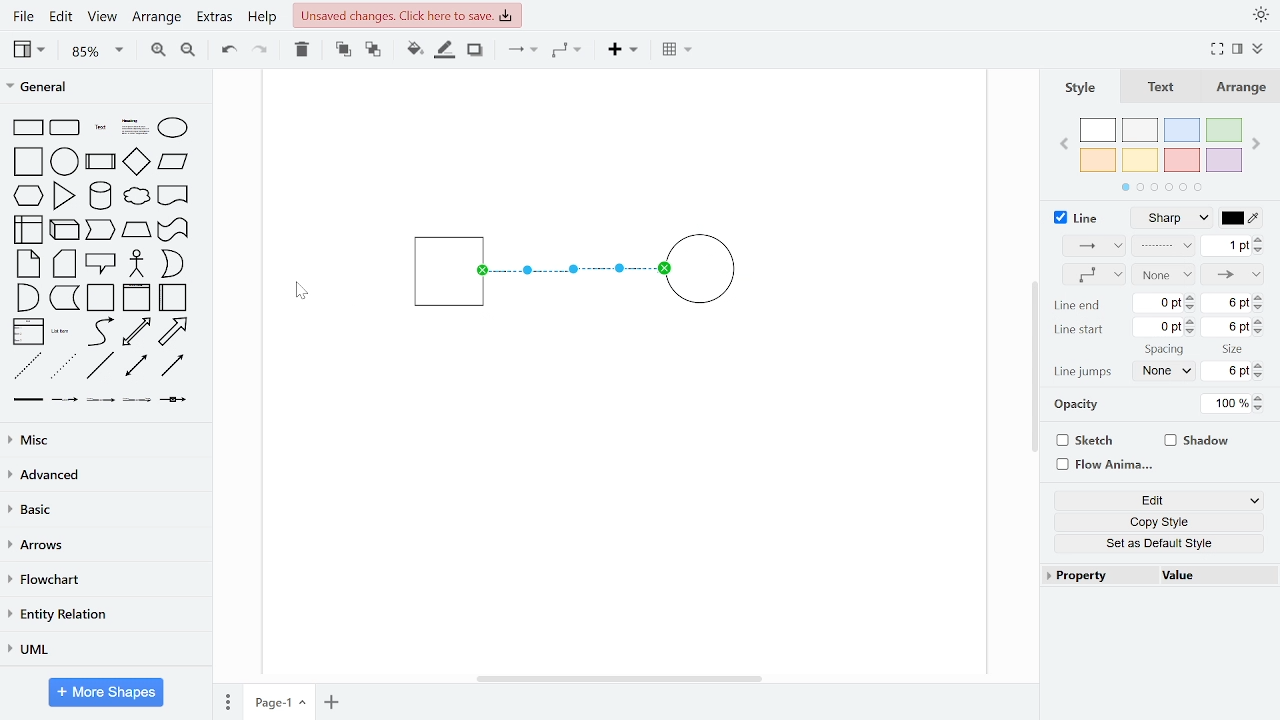 The image size is (1280, 720). Describe the element at coordinates (101, 650) in the screenshot. I see `UML` at that location.